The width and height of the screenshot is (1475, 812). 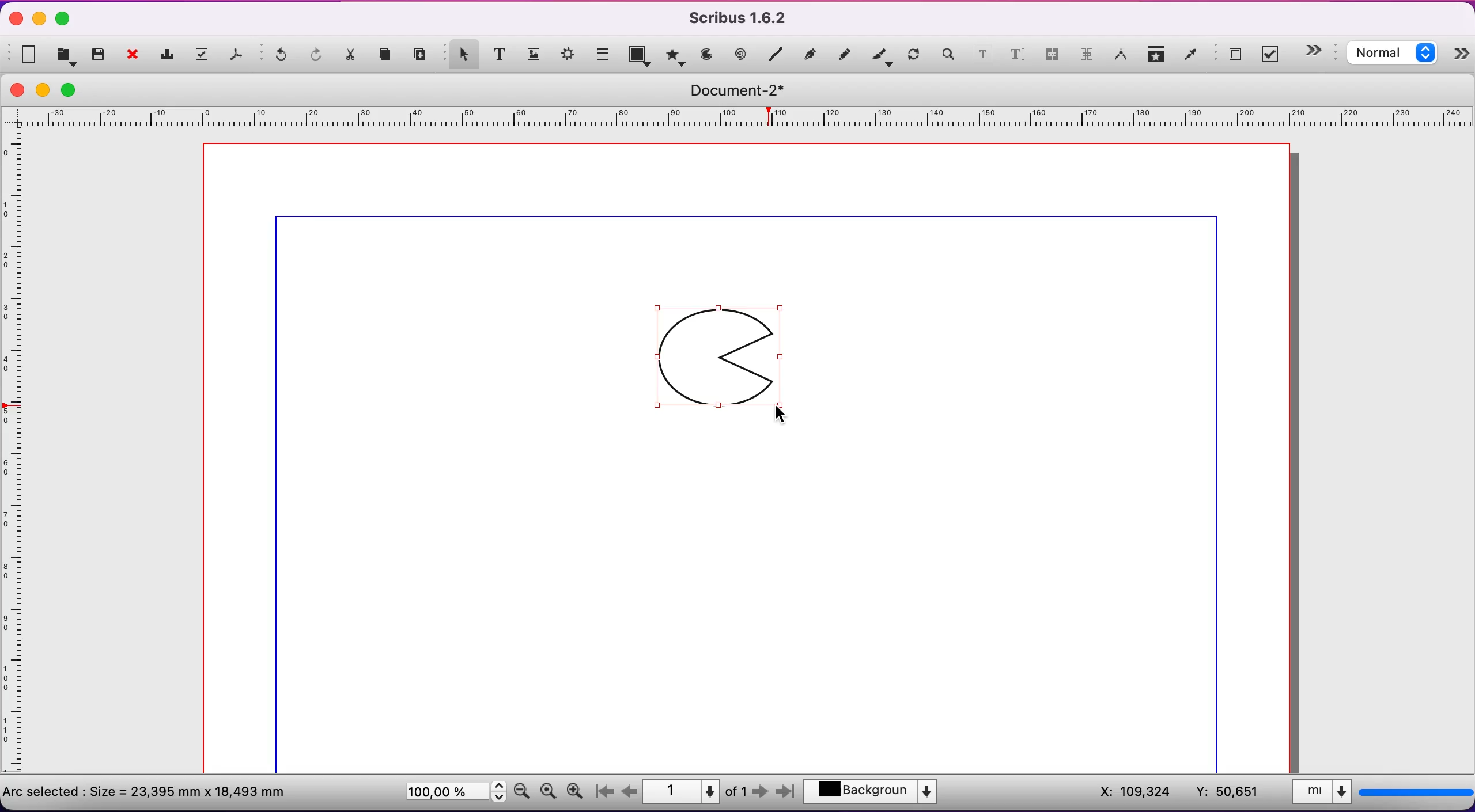 What do you see at coordinates (1157, 56) in the screenshot?
I see `copy item properties` at bounding box center [1157, 56].